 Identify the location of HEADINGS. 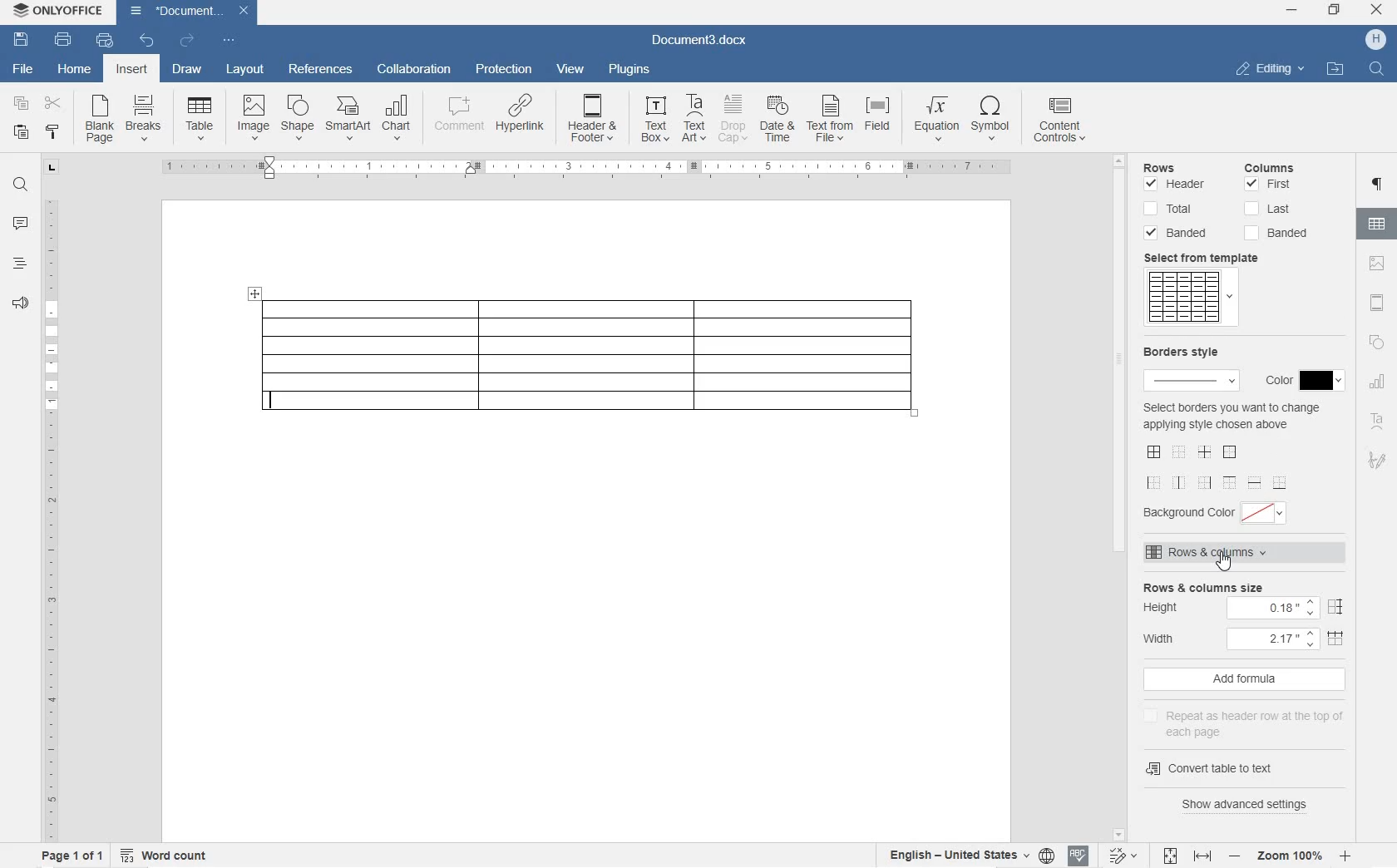
(17, 264).